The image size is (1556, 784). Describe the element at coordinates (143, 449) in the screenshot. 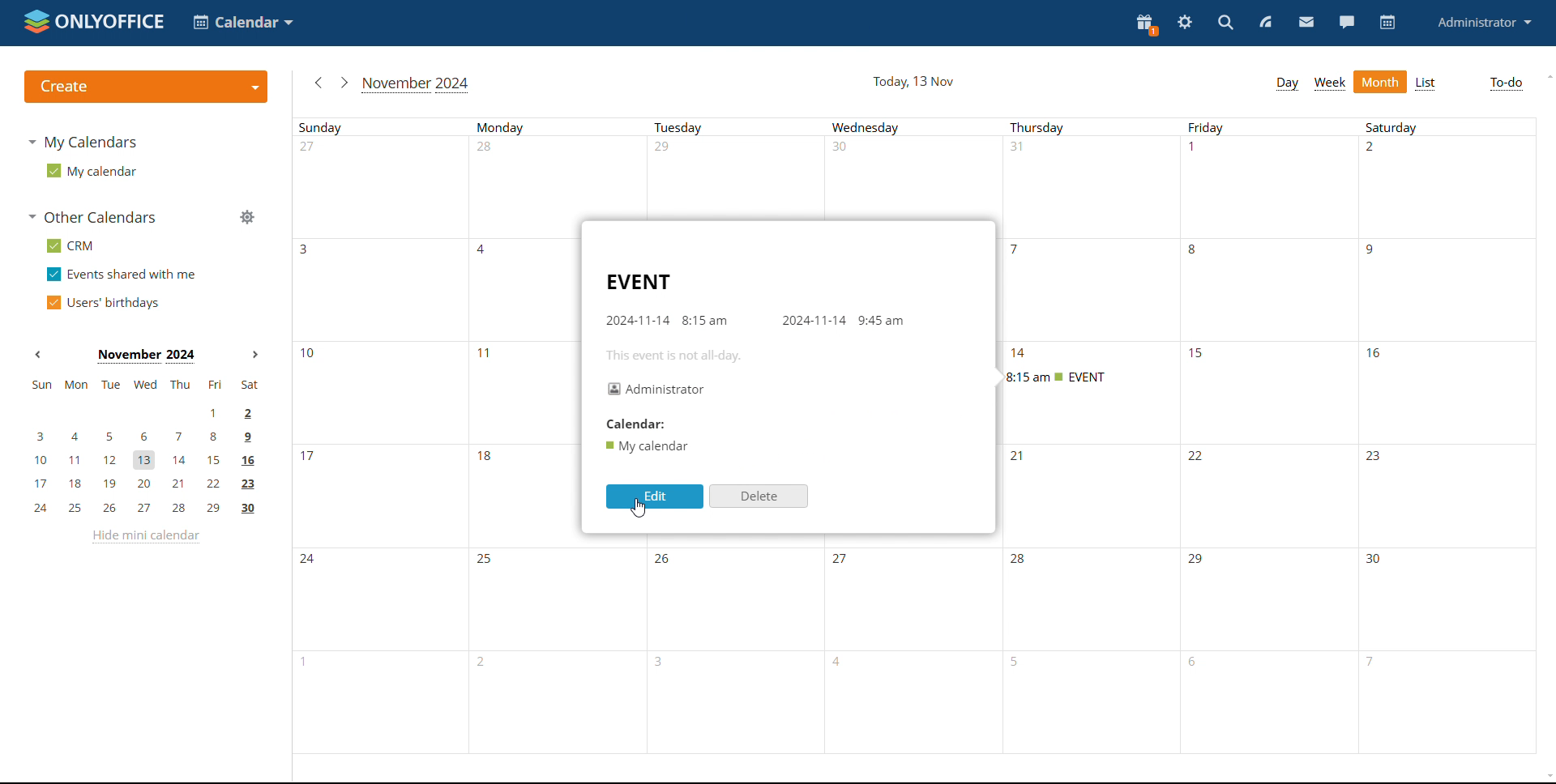

I see `mini calendar` at that location.